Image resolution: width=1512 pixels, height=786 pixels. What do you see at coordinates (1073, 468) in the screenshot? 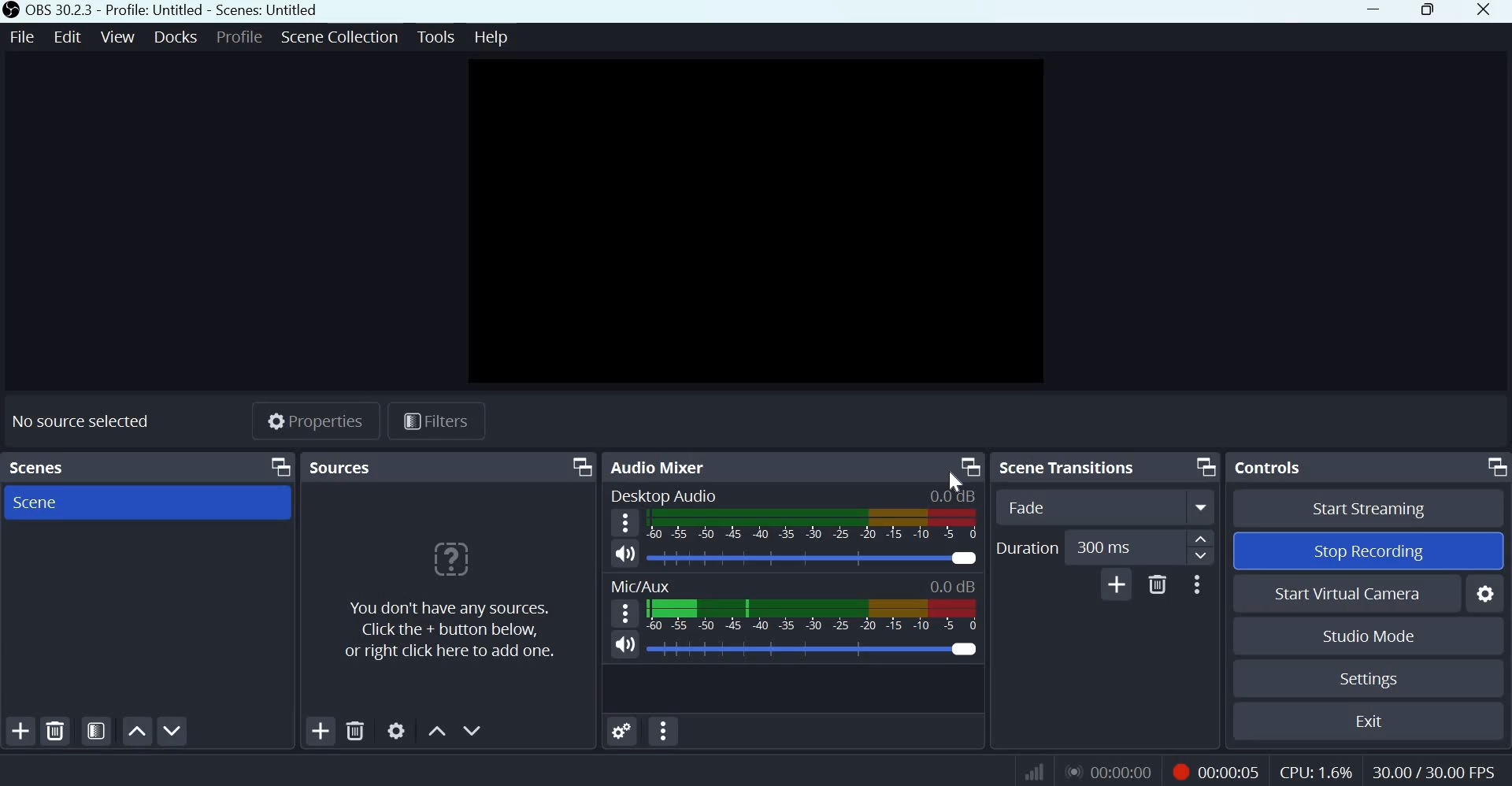
I see `Scene transitions` at bounding box center [1073, 468].